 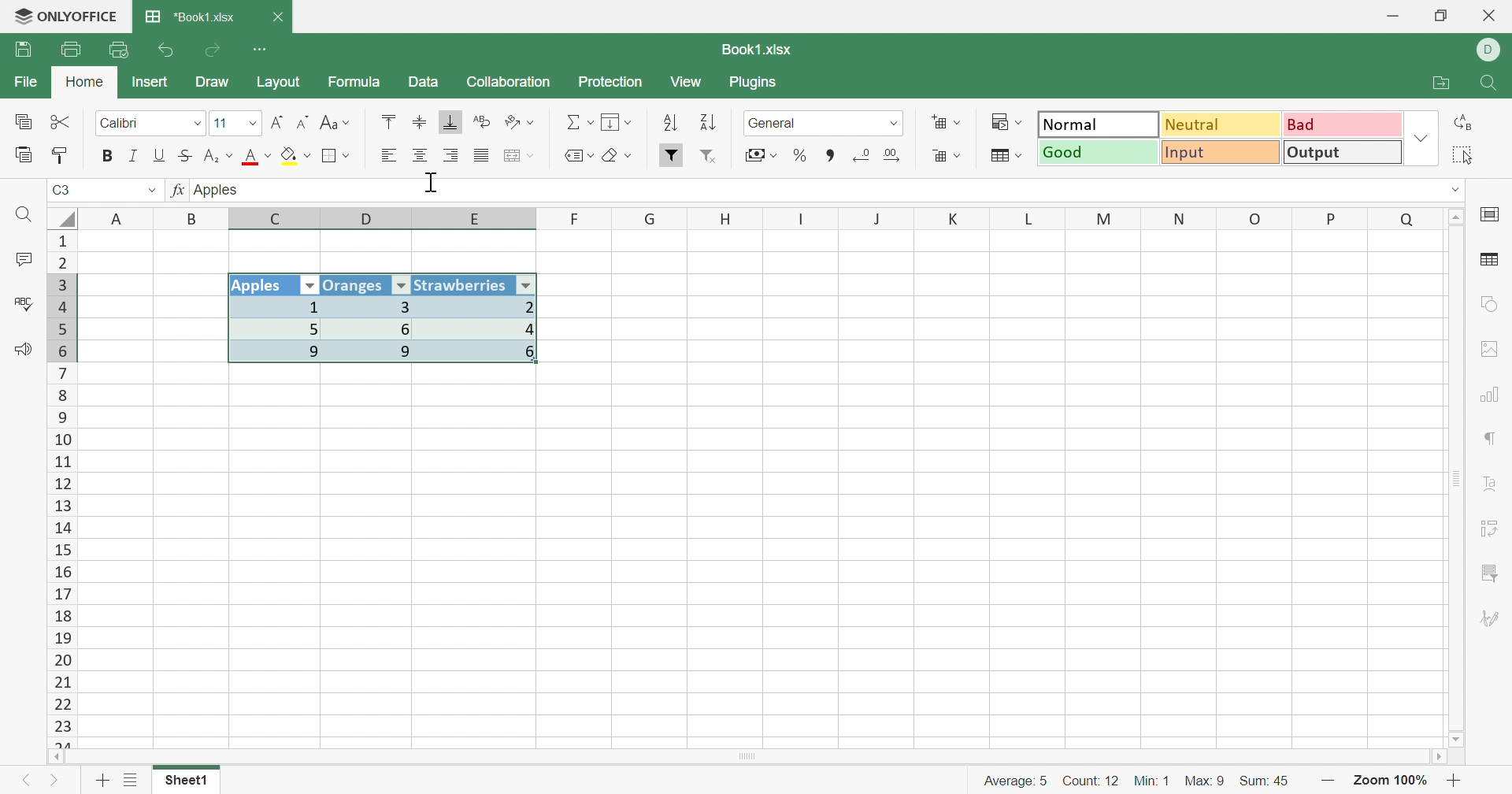 I want to click on Named ranges, so click(x=576, y=155).